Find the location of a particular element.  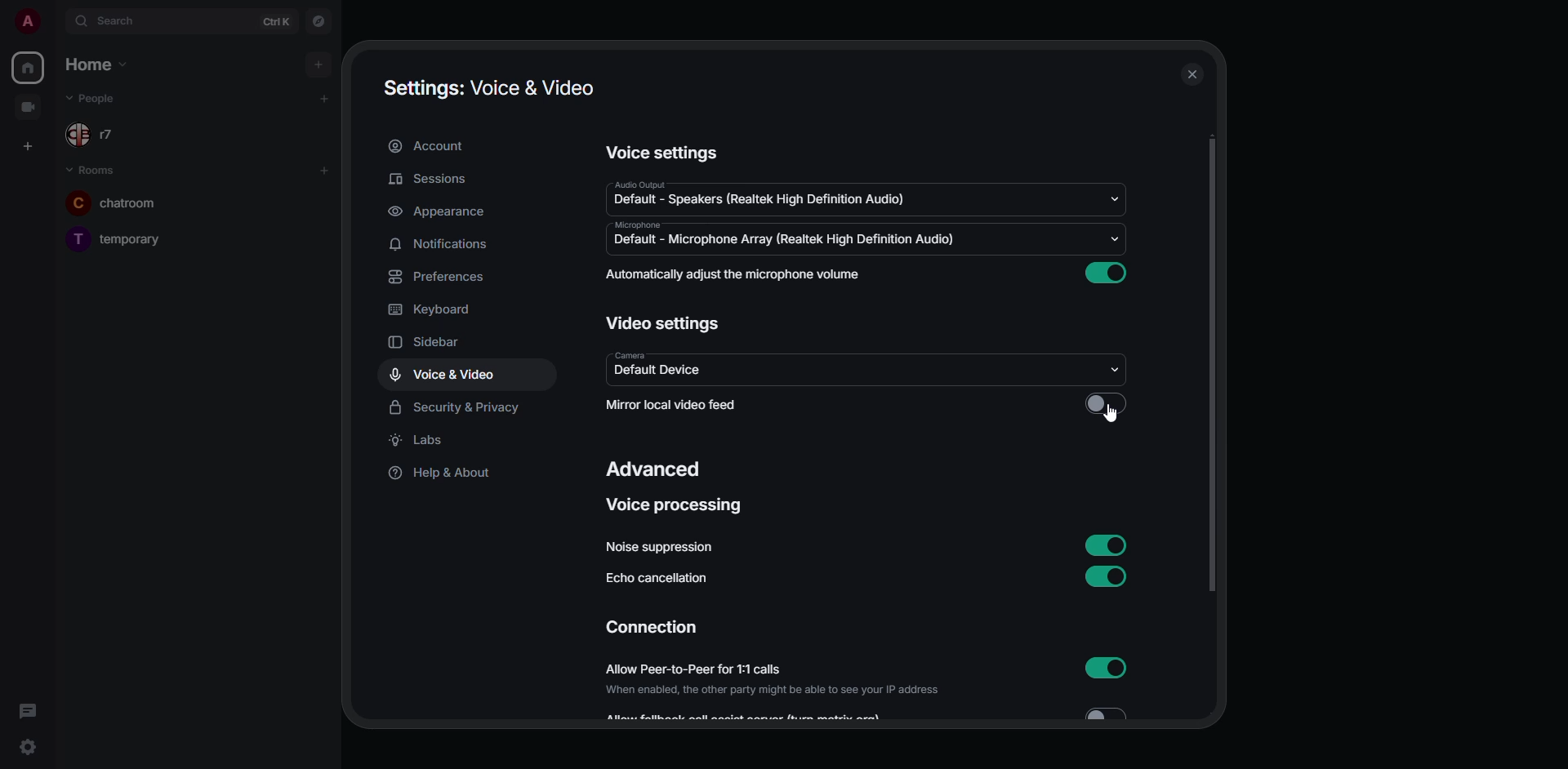

default is located at coordinates (763, 204).